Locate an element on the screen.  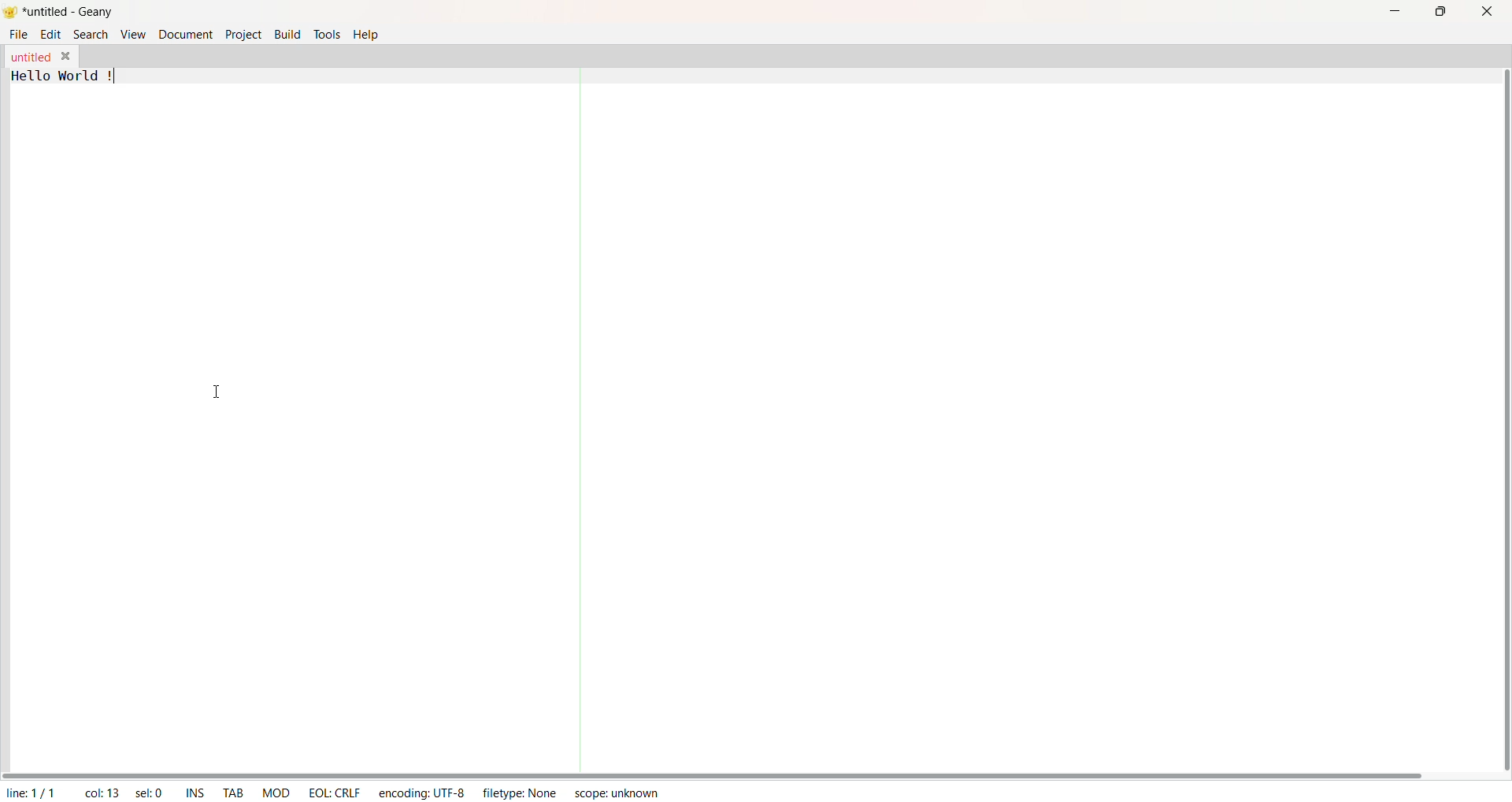
Minimize is located at coordinates (1391, 12).